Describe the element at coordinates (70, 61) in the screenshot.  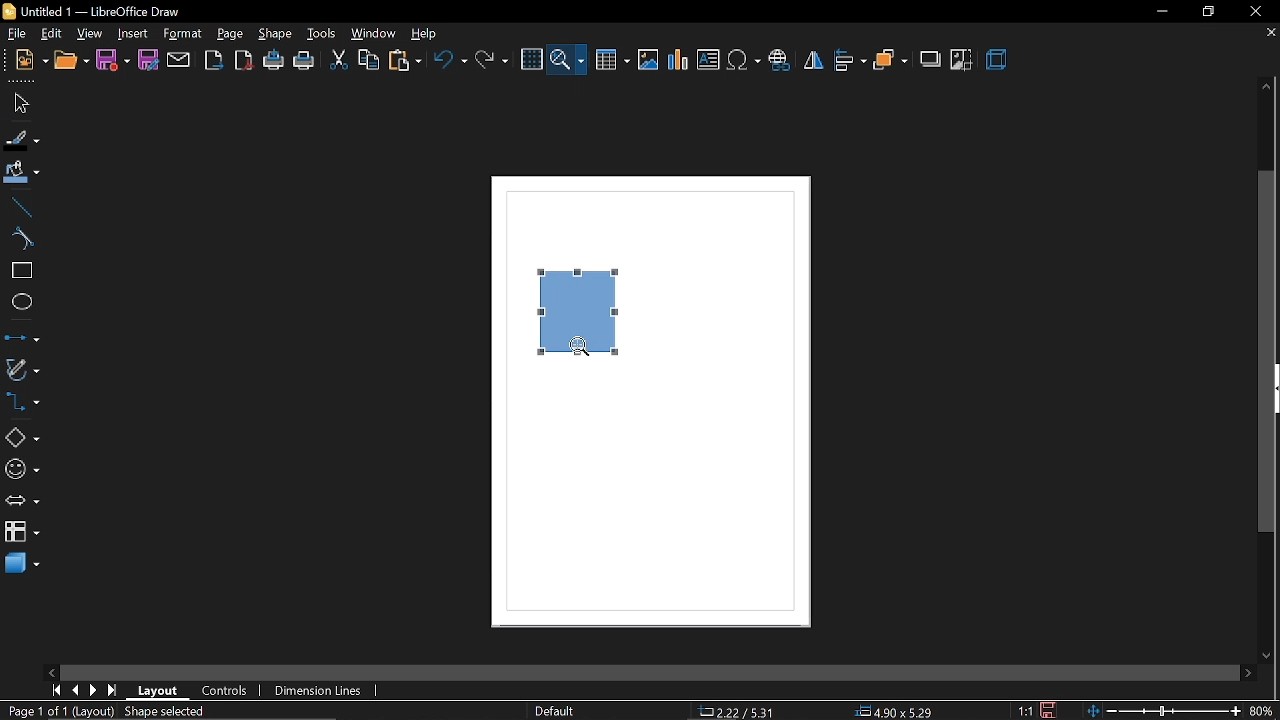
I see `open ` at that location.